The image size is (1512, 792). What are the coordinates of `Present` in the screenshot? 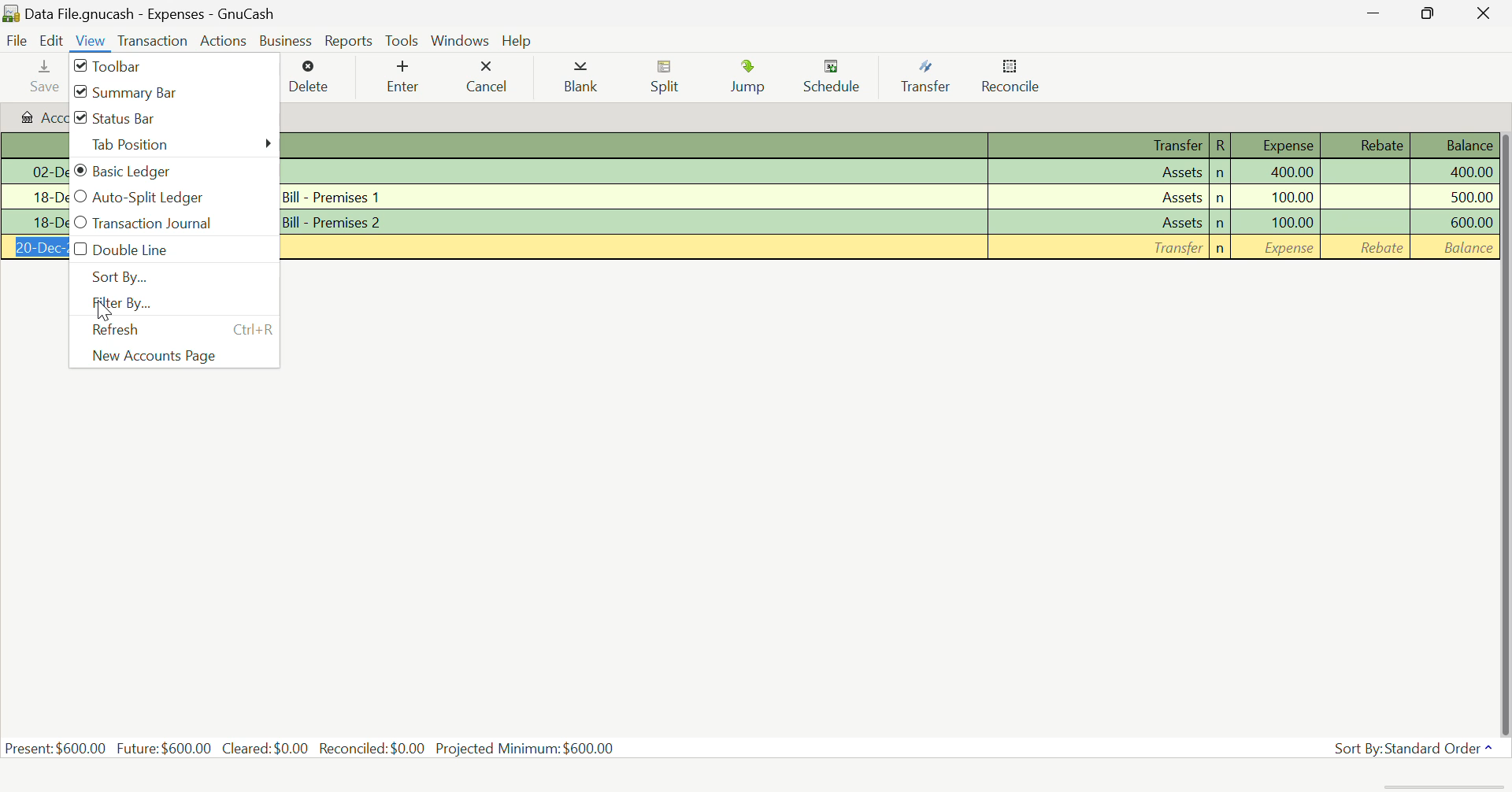 It's located at (56, 749).